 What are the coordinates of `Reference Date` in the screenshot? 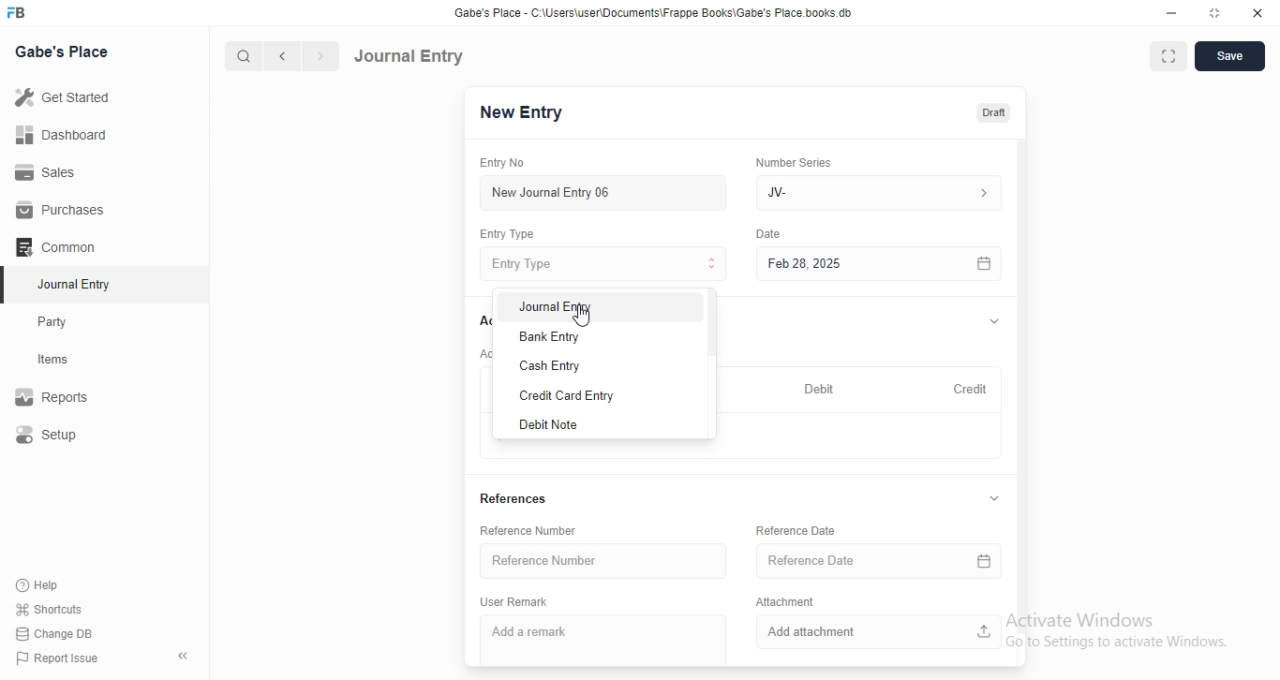 It's located at (856, 561).